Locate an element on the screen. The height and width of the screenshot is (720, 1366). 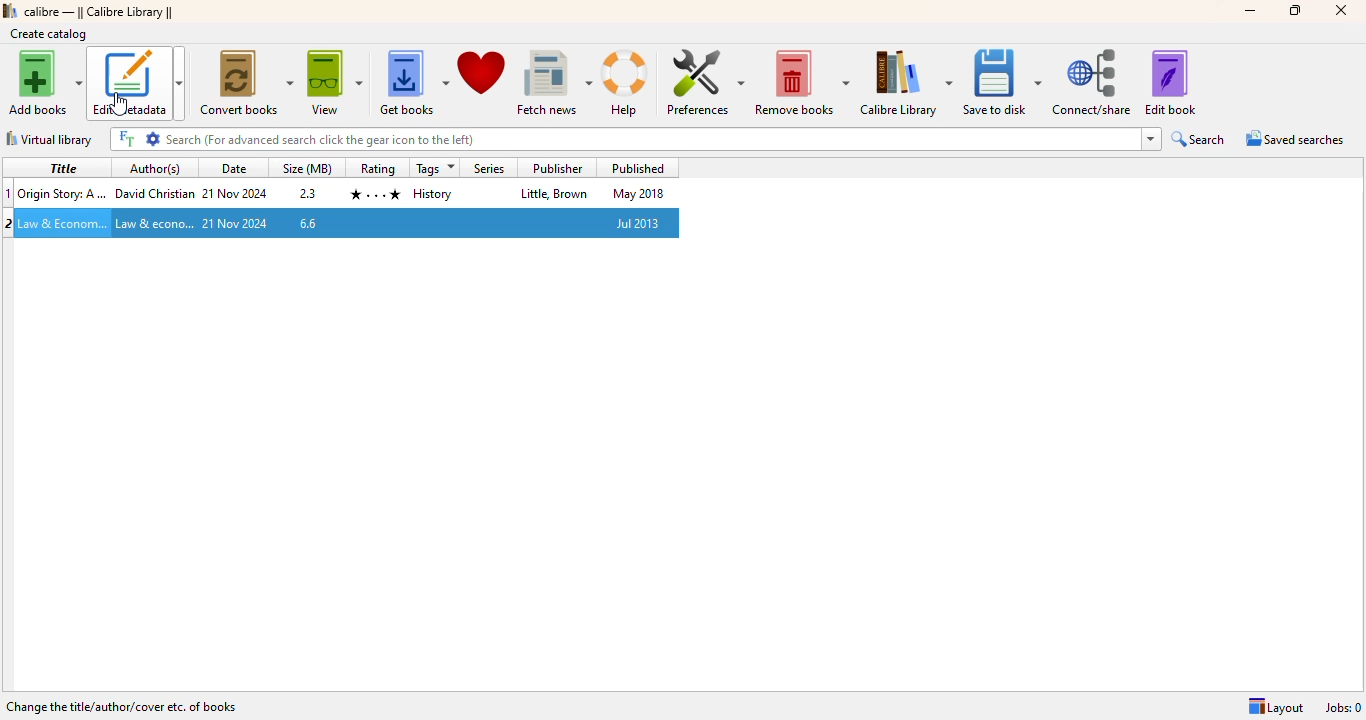
add books is located at coordinates (46, 82).